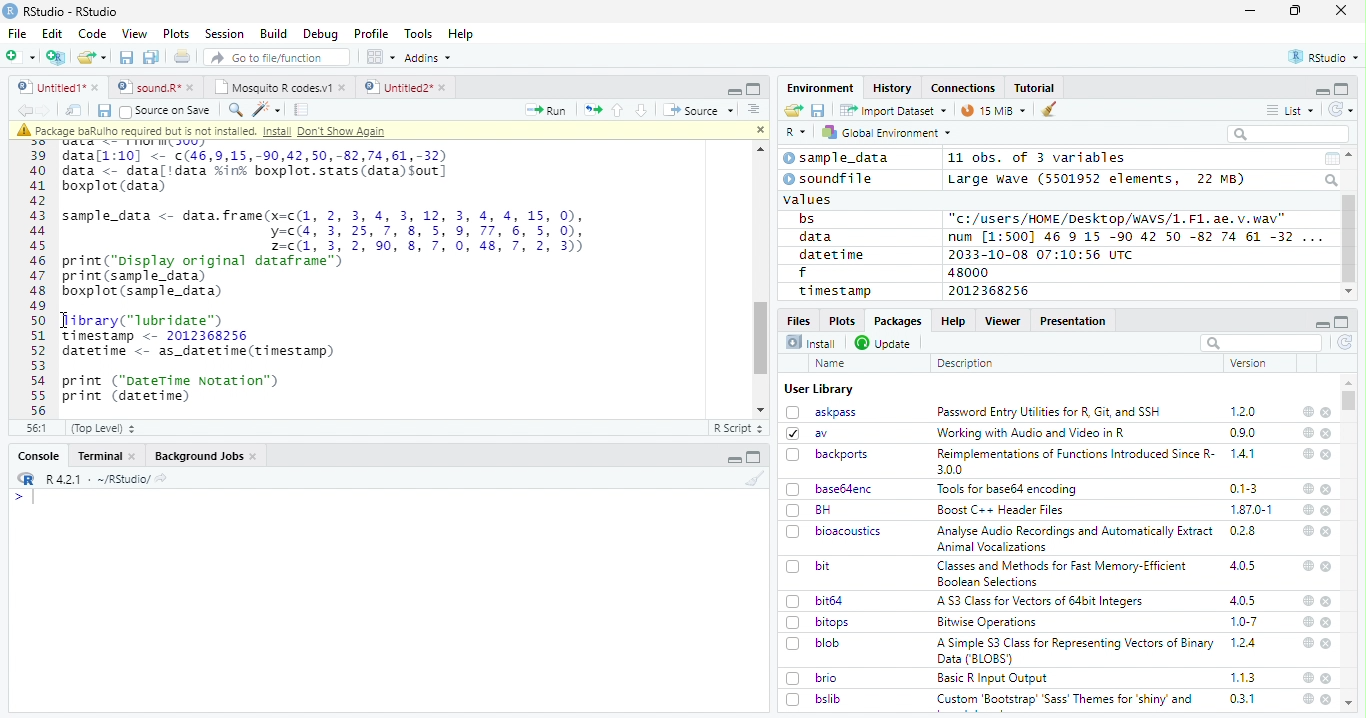 Image resolution: width=1366 pixels, height=718 pixels. What do you see at coordinates (831, 254) in the screenshot?
I see `datetime` at bounding box center [831, 254].